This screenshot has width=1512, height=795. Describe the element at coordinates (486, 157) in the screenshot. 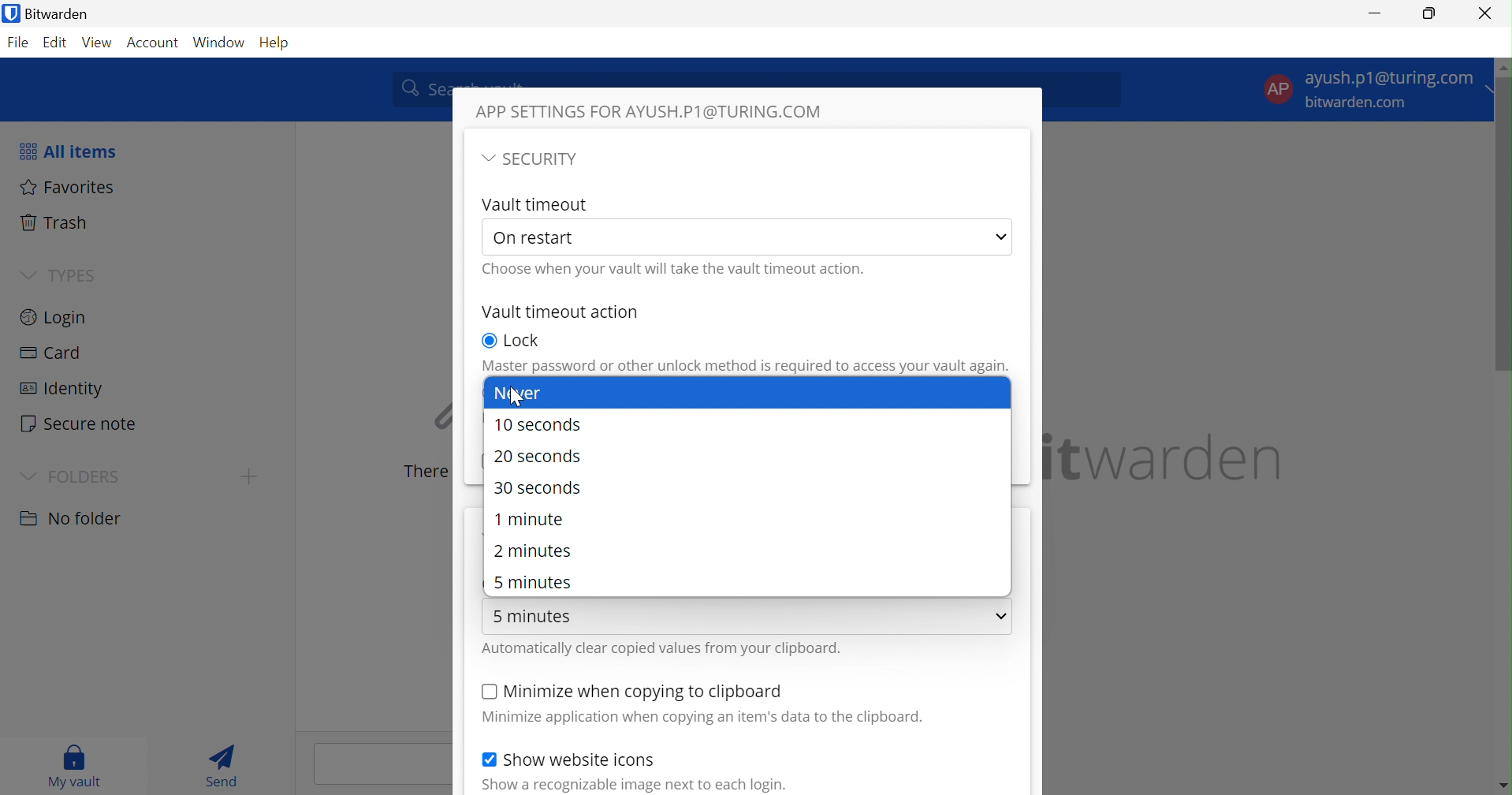

I see `Drop Down` at that location.